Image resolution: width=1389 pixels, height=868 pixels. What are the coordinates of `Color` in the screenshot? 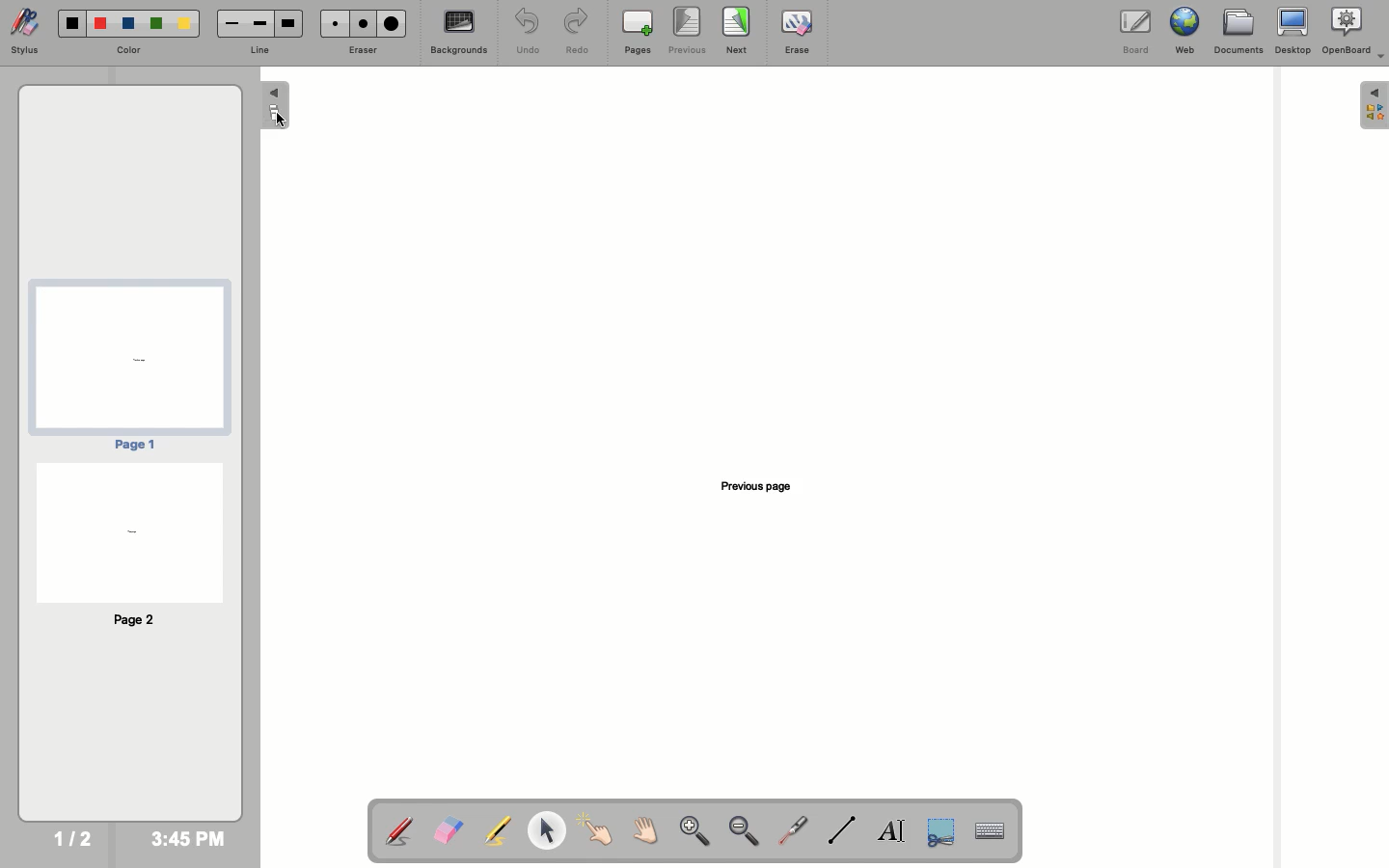 It's located at (128, 51).